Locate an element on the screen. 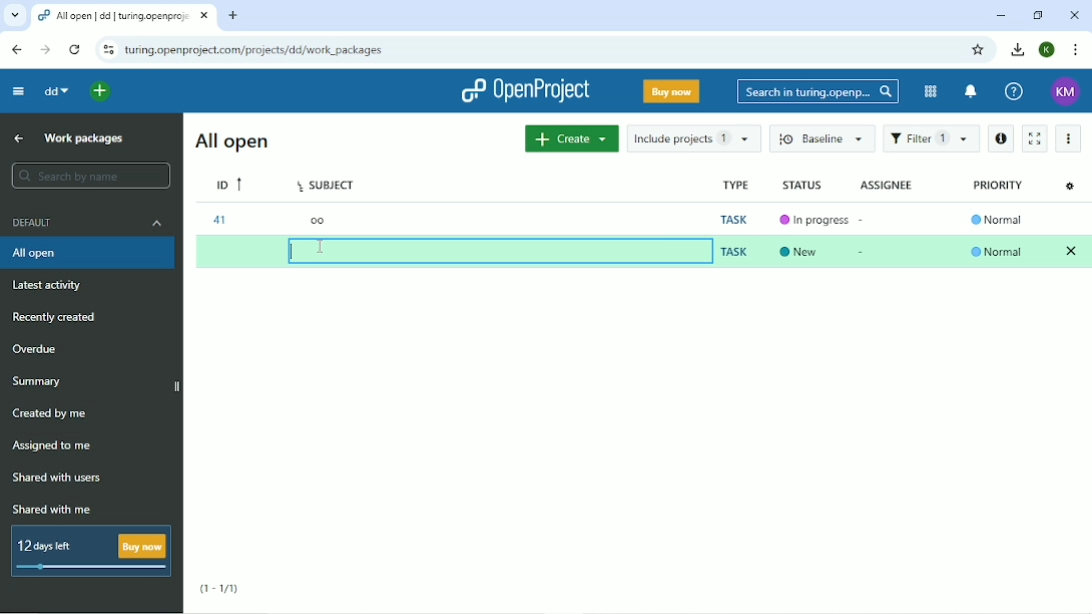  New is located at coordinates (799, 250).